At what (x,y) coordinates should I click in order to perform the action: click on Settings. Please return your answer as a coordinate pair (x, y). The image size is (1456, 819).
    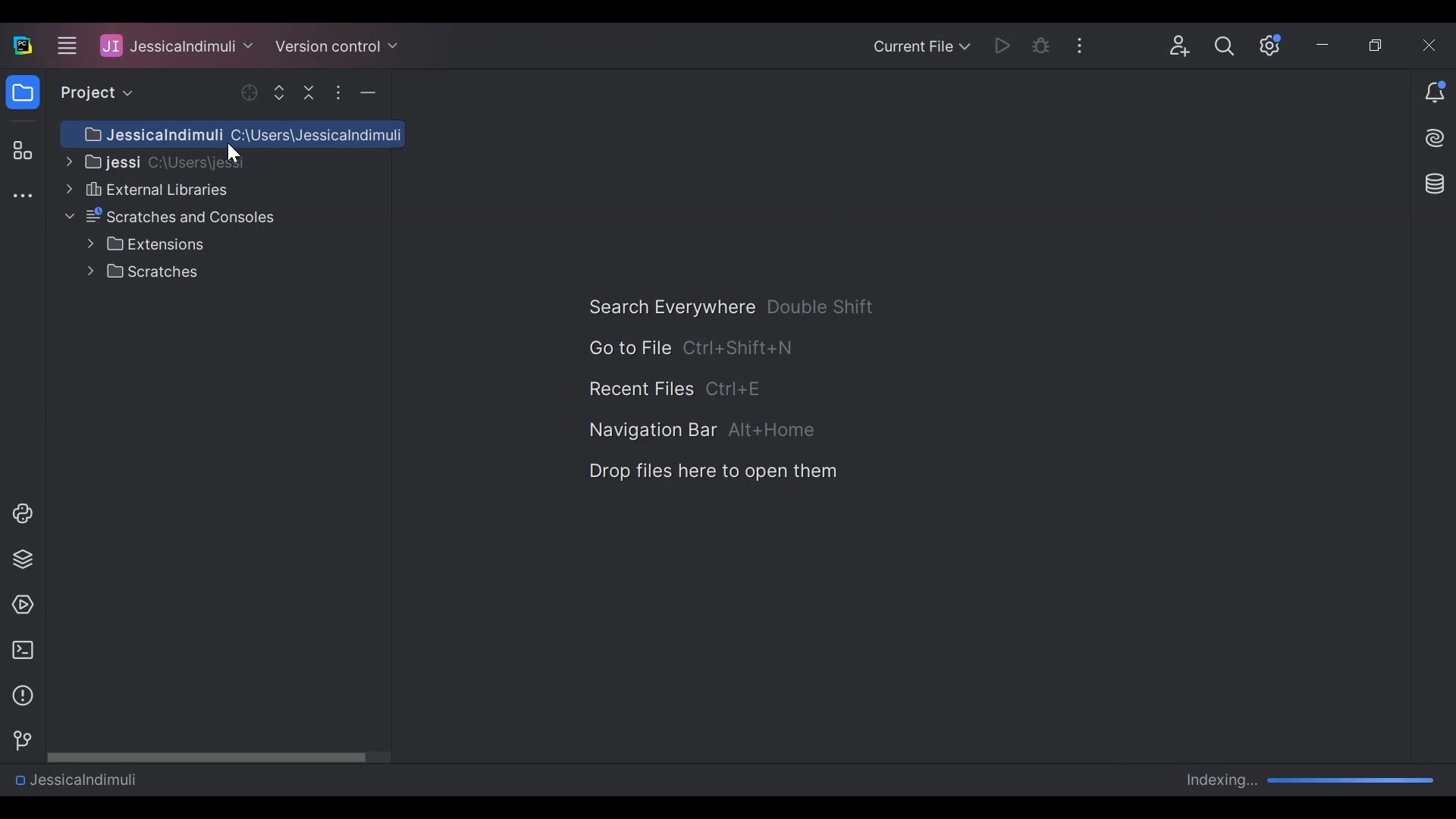
    Looking at the image, I should click on (1271, 45).